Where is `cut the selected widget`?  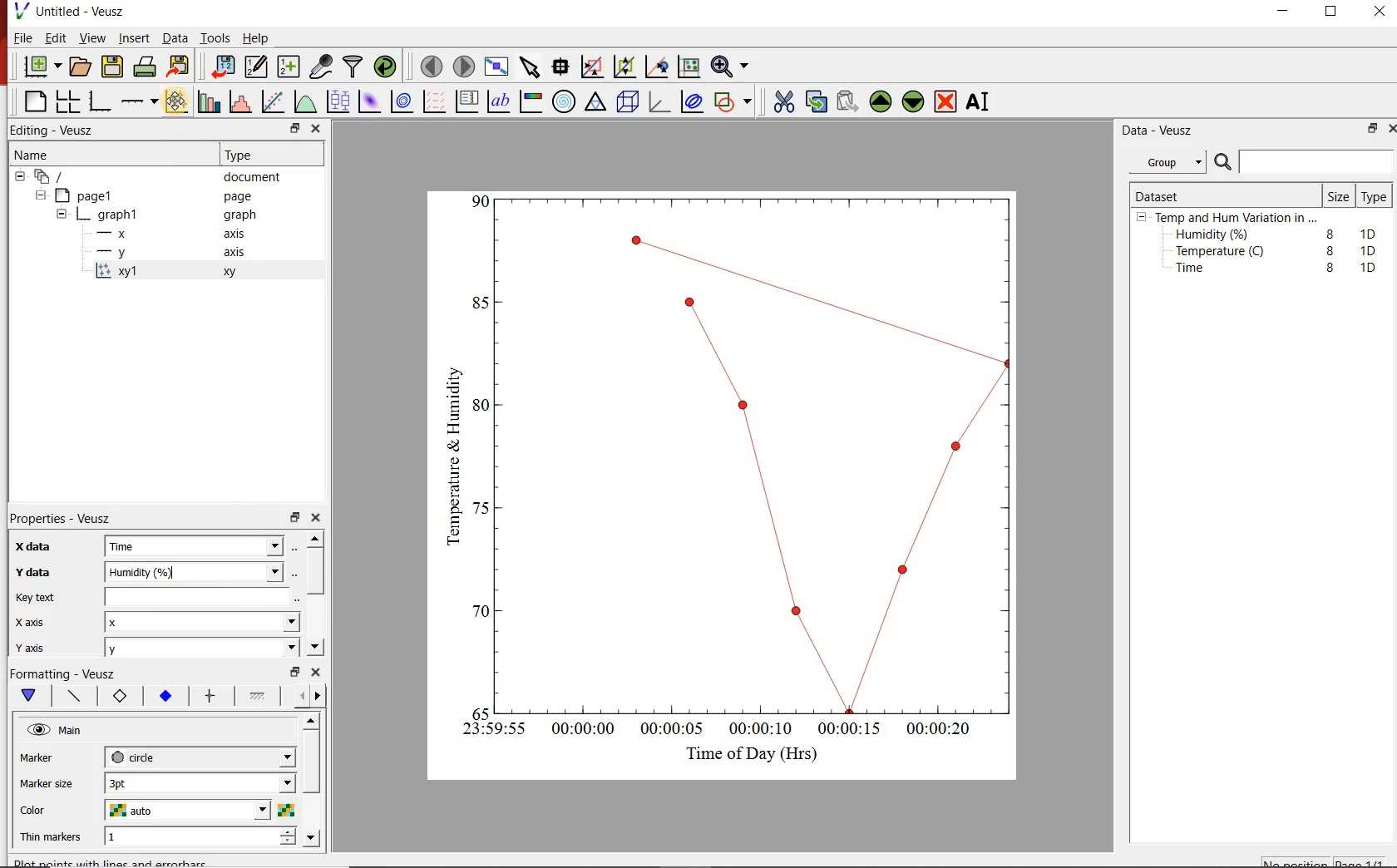
cut the selected widget is located at coordinates (782, 100).